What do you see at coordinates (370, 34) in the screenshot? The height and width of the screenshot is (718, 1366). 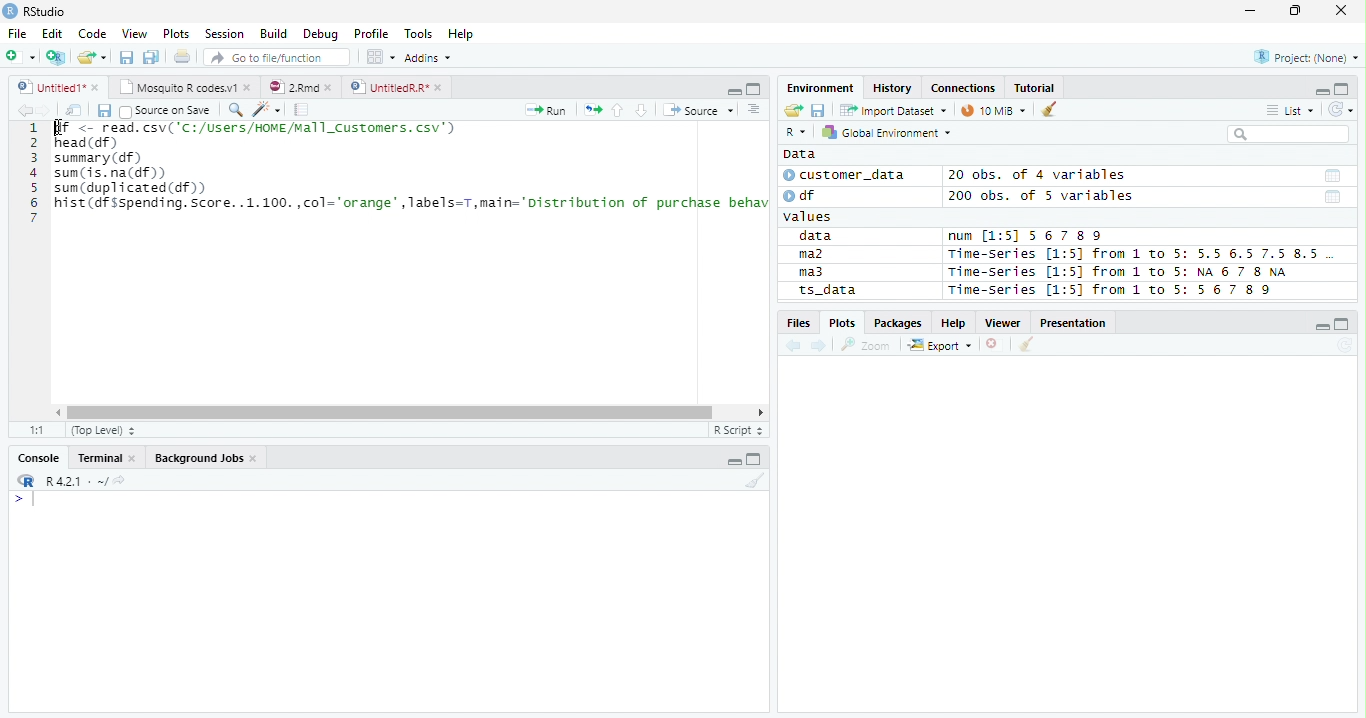 I see `Profile` at bounding box center [370, 34].